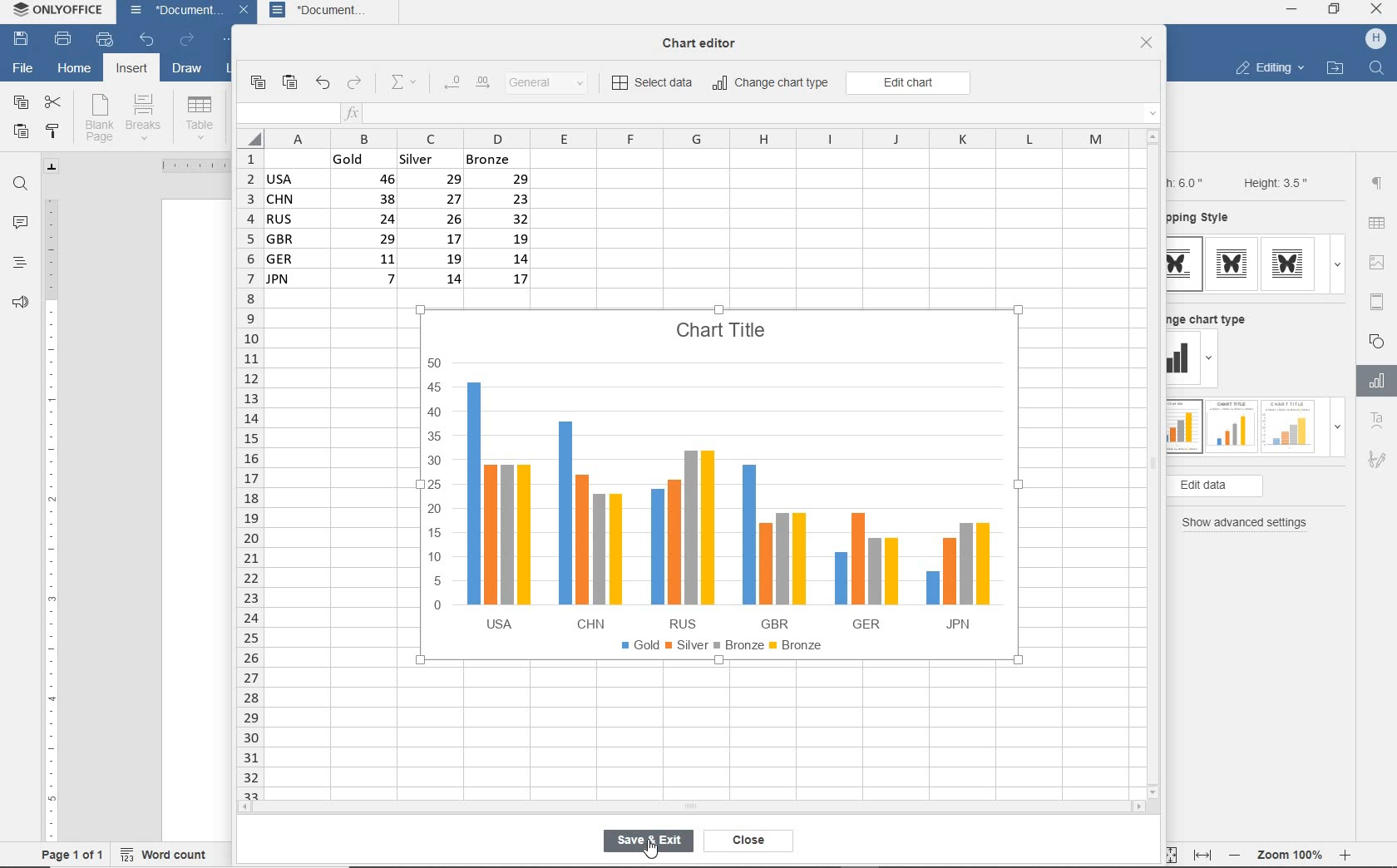 The width and height of the screenshot is (1397, 868). Describe the element at coordinates (52, 166) in the screenshot. I see `tab stop` at that location.